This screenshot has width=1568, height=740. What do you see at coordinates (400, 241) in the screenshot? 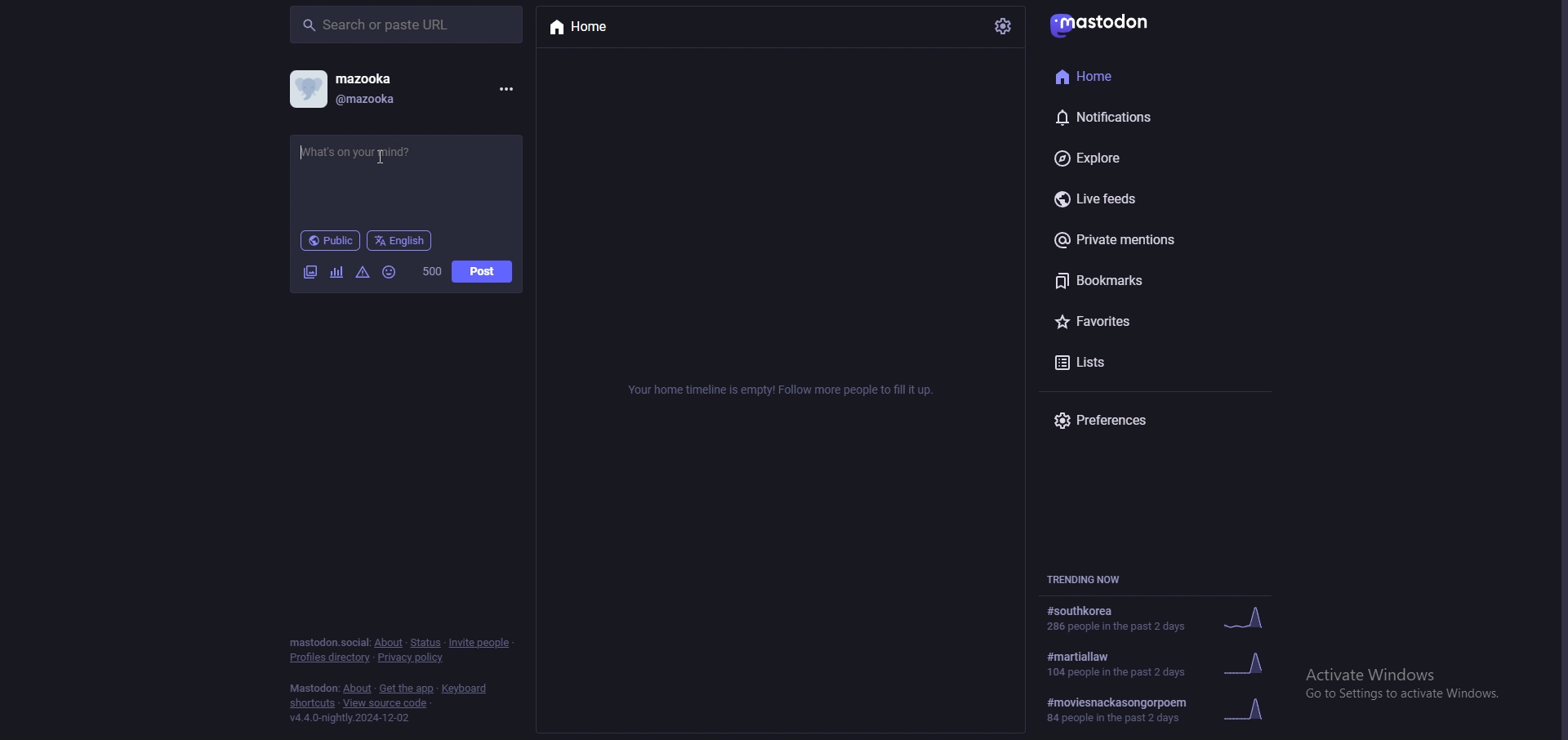
I see `language` at bounding box center [400, 241].